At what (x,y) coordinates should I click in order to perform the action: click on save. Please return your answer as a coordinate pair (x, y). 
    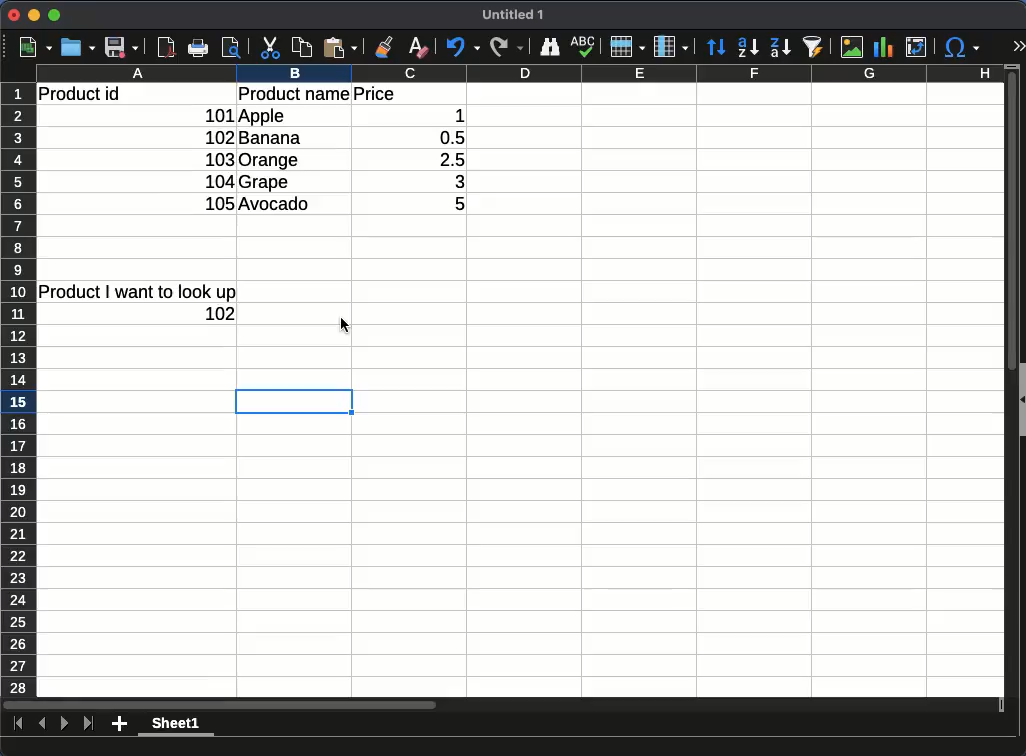
    Looking at the image, I should click on (122, 47).